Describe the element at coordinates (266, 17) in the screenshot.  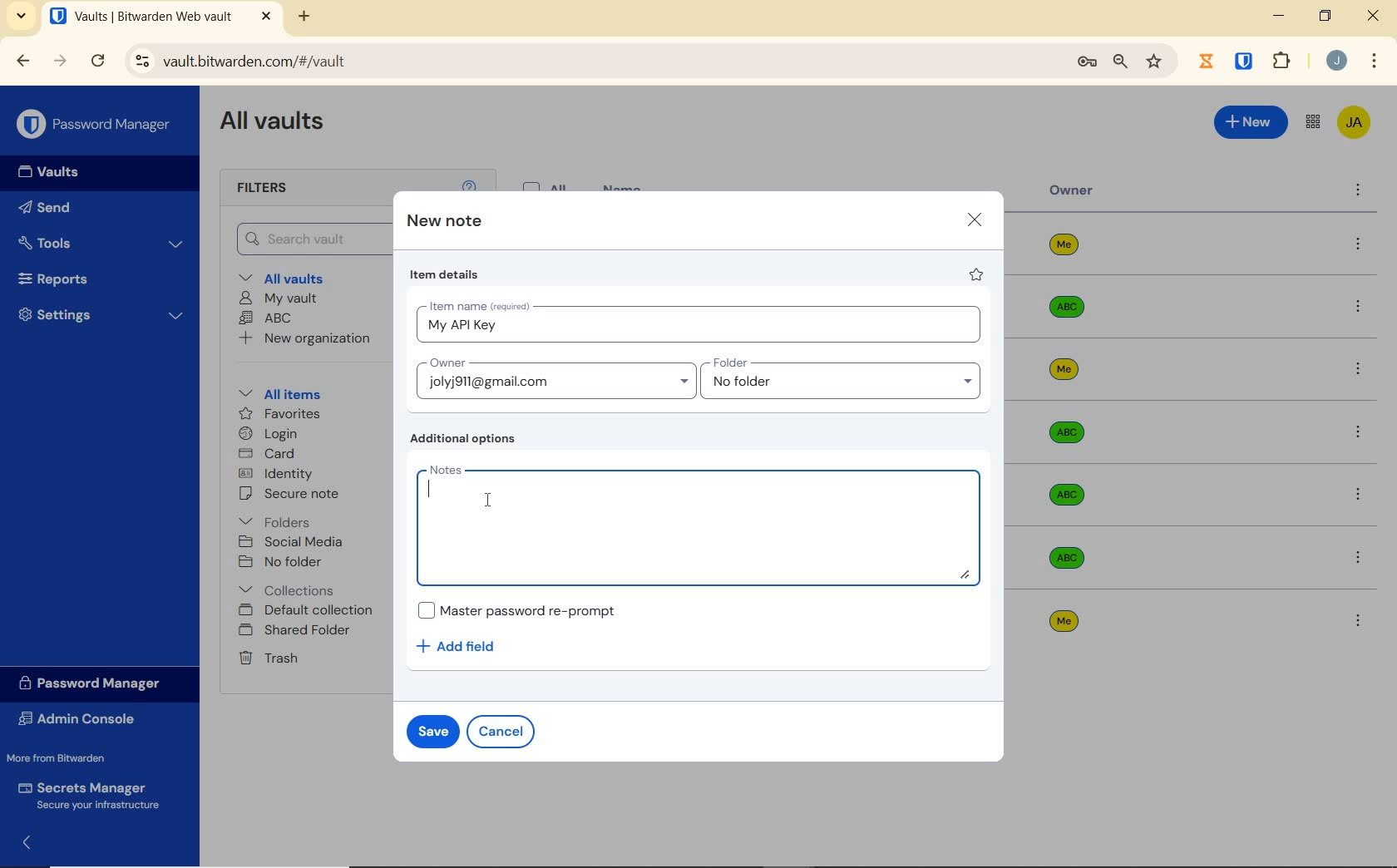
I see `CLOSE` at that location.